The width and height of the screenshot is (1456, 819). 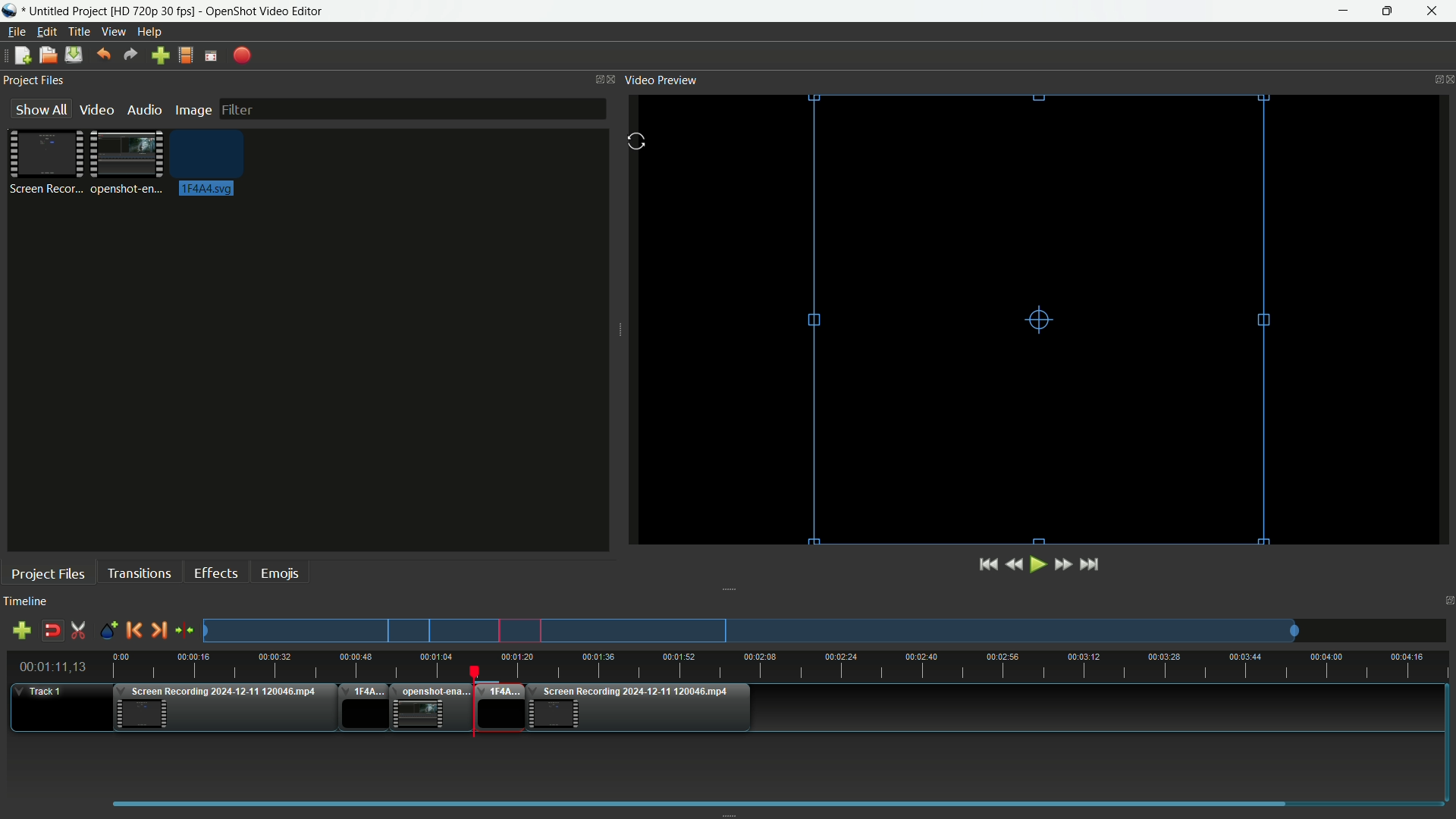 What do you see at coordinates (184, 57) in the screenshot?
I see `Profile` at bounding box center [184, 57].